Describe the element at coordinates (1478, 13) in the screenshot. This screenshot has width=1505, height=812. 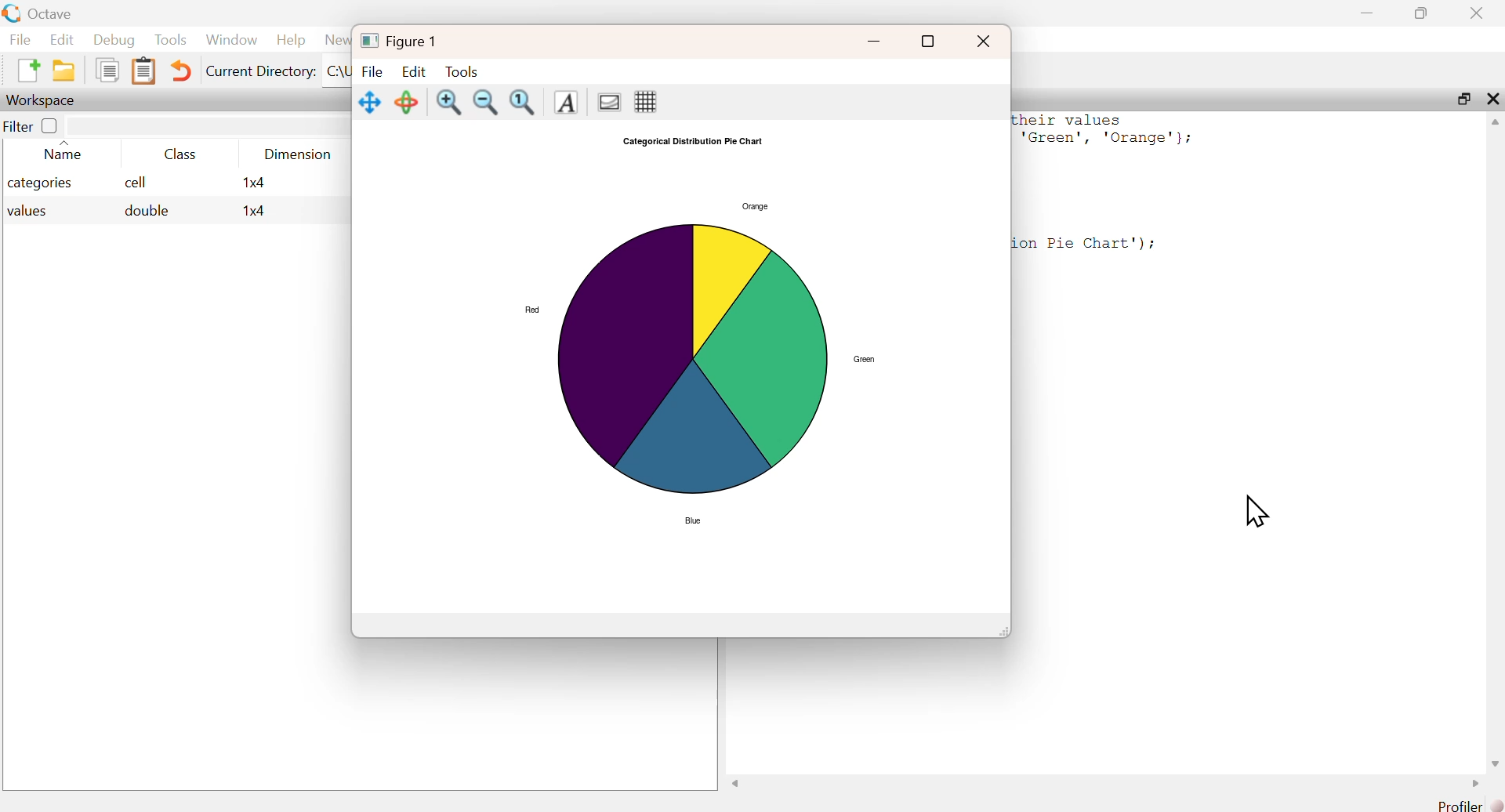
I see `close` at that location.